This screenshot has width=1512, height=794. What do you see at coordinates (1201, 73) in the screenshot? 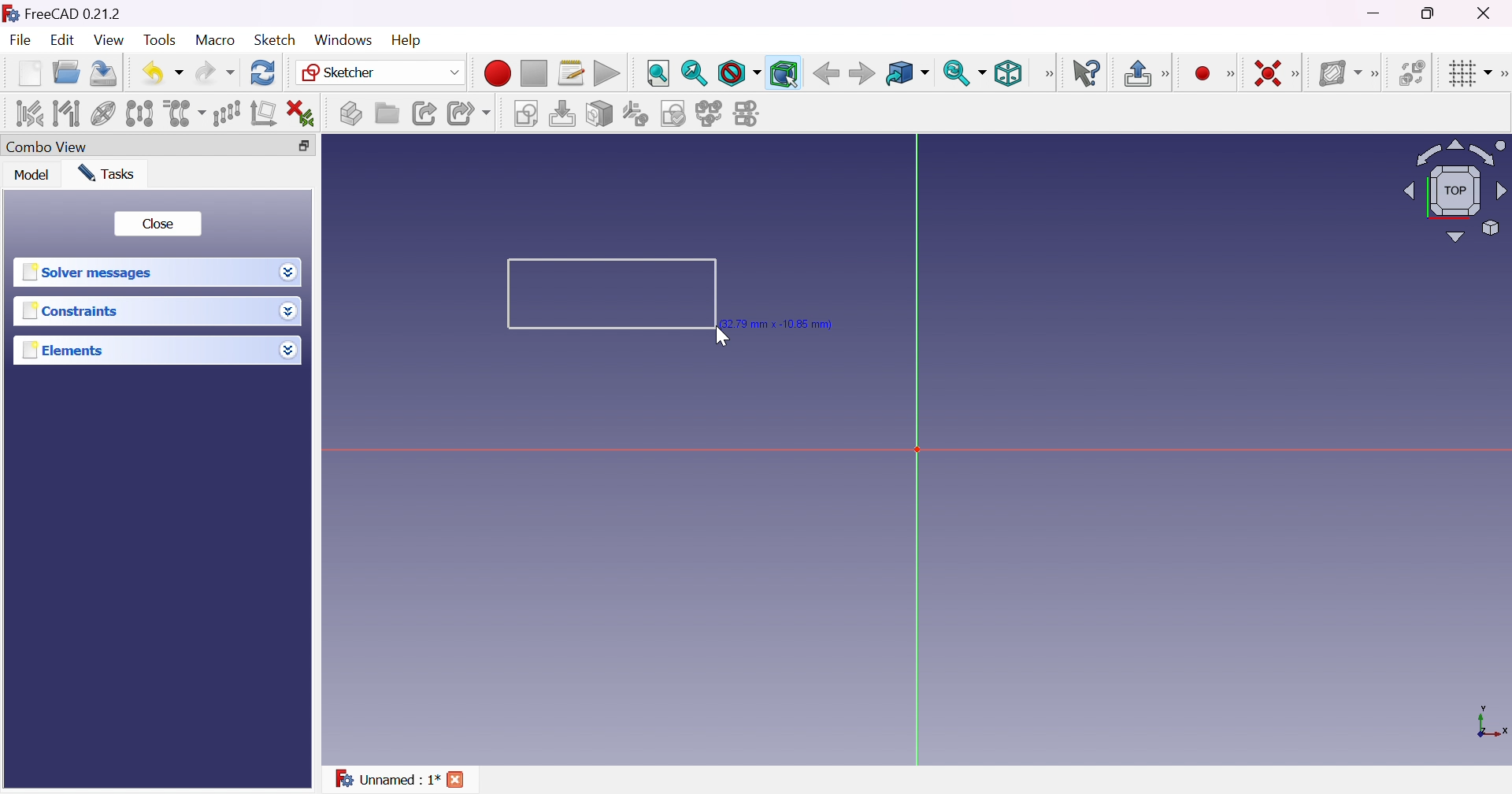
I see `Create point` at bounding box center [1201, 73].